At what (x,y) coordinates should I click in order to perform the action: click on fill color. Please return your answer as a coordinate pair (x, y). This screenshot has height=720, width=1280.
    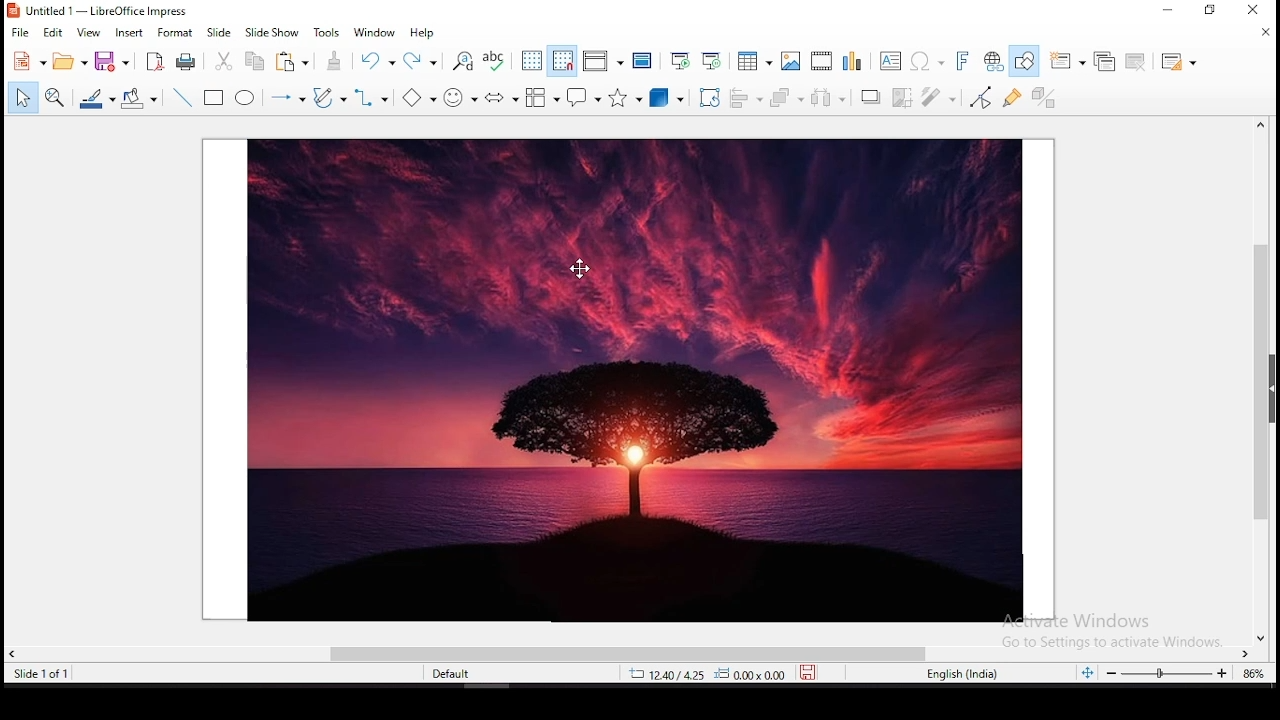
    Looking at the image, I should click on (139, 97).